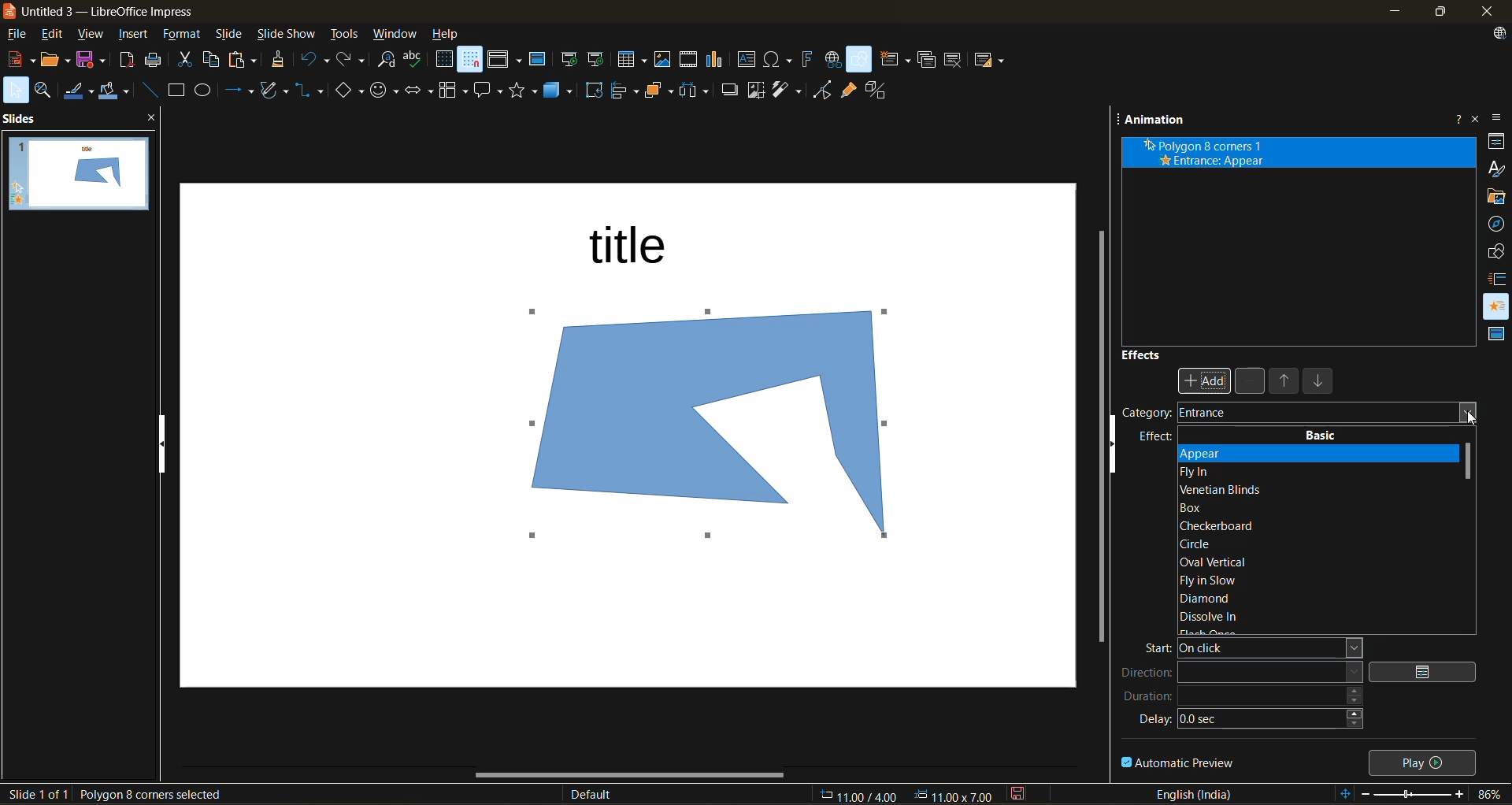  What do you see at coordinates (1017, 793) in the screenshot?
I see `click to save` at bounding box center [1017, 793].